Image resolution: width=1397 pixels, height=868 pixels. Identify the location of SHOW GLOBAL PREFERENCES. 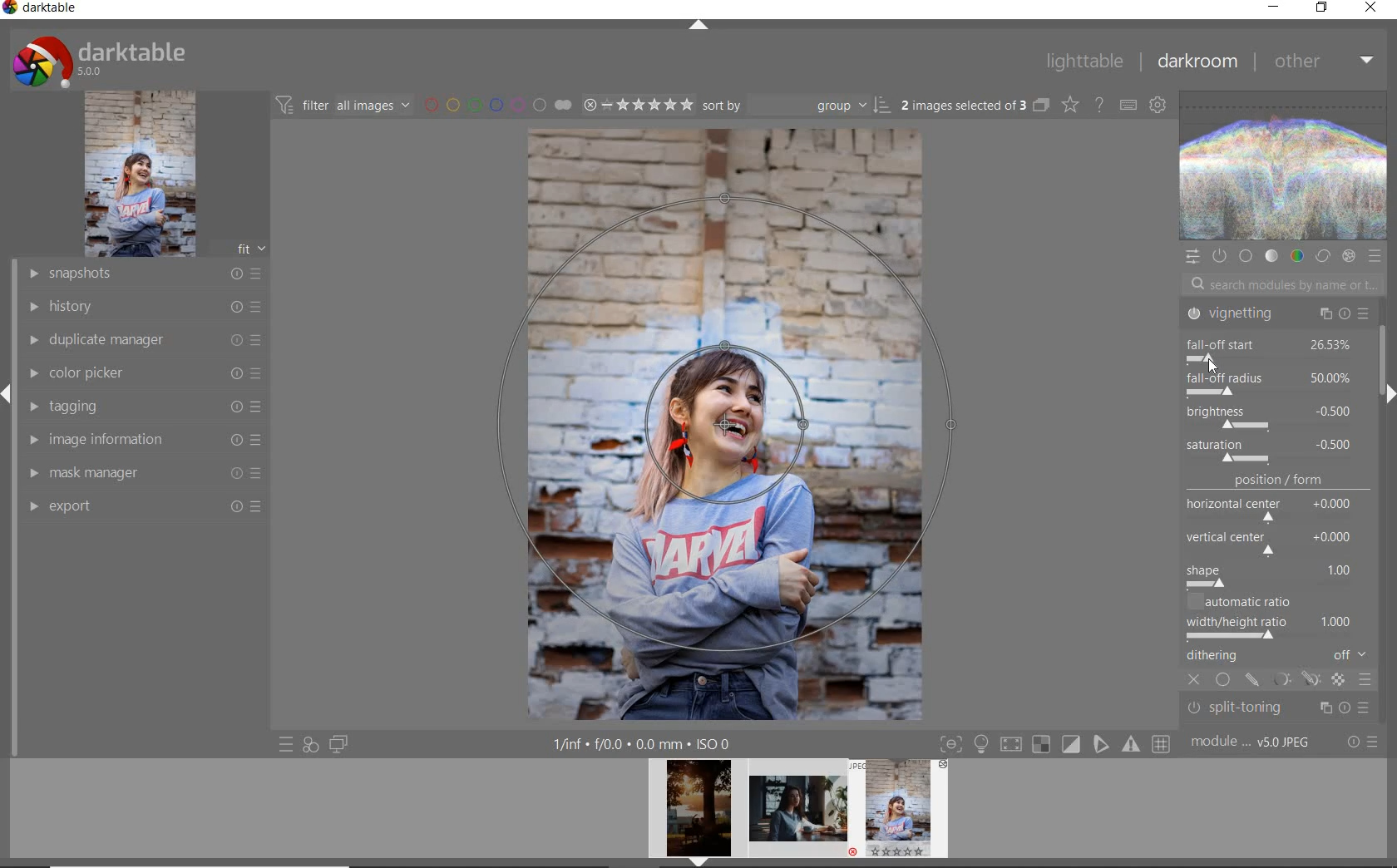
(1156, 104).